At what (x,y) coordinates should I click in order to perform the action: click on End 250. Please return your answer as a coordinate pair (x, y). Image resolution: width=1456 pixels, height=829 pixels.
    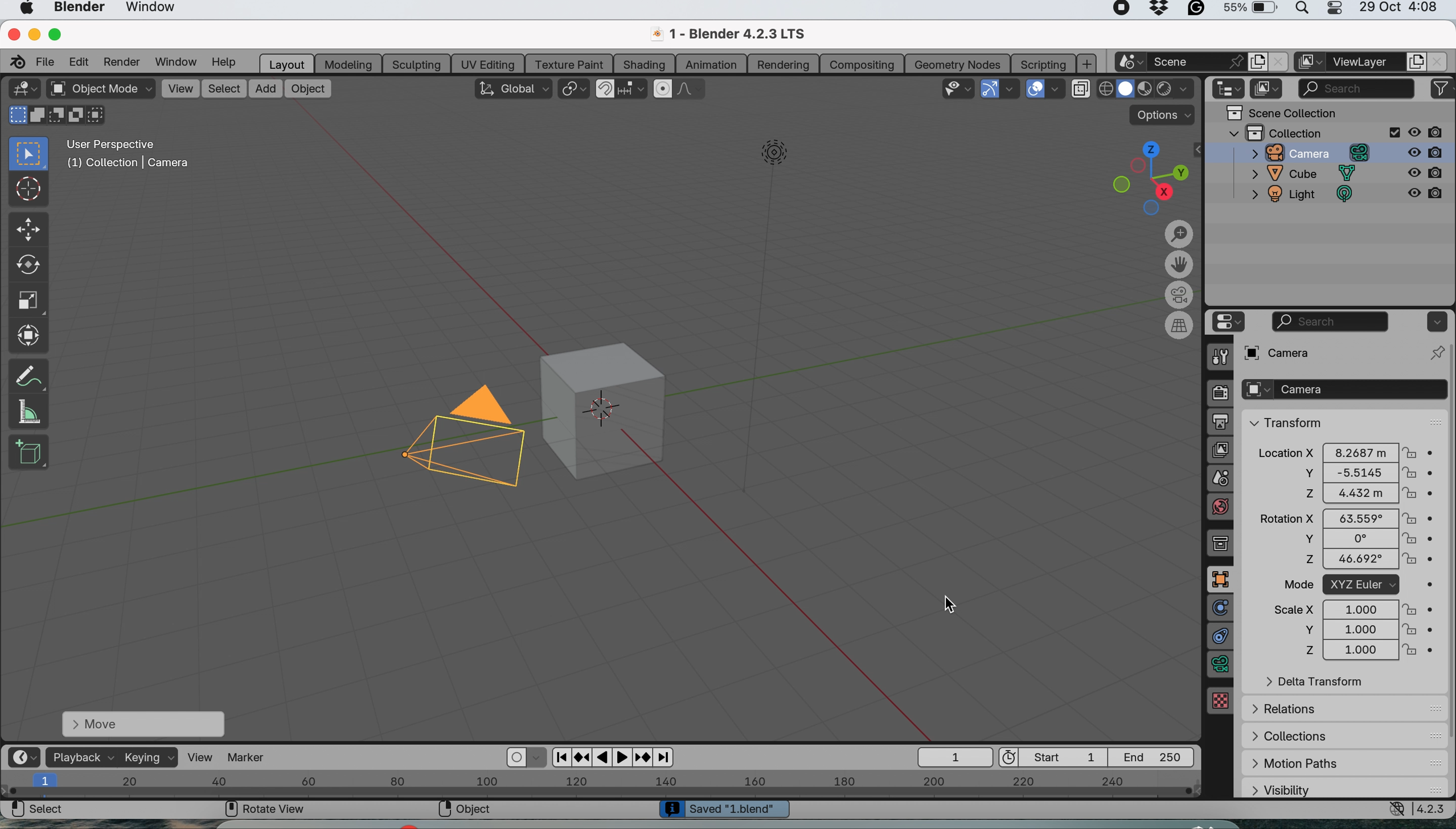
    Looking at the image, I should click on (1154, 757).